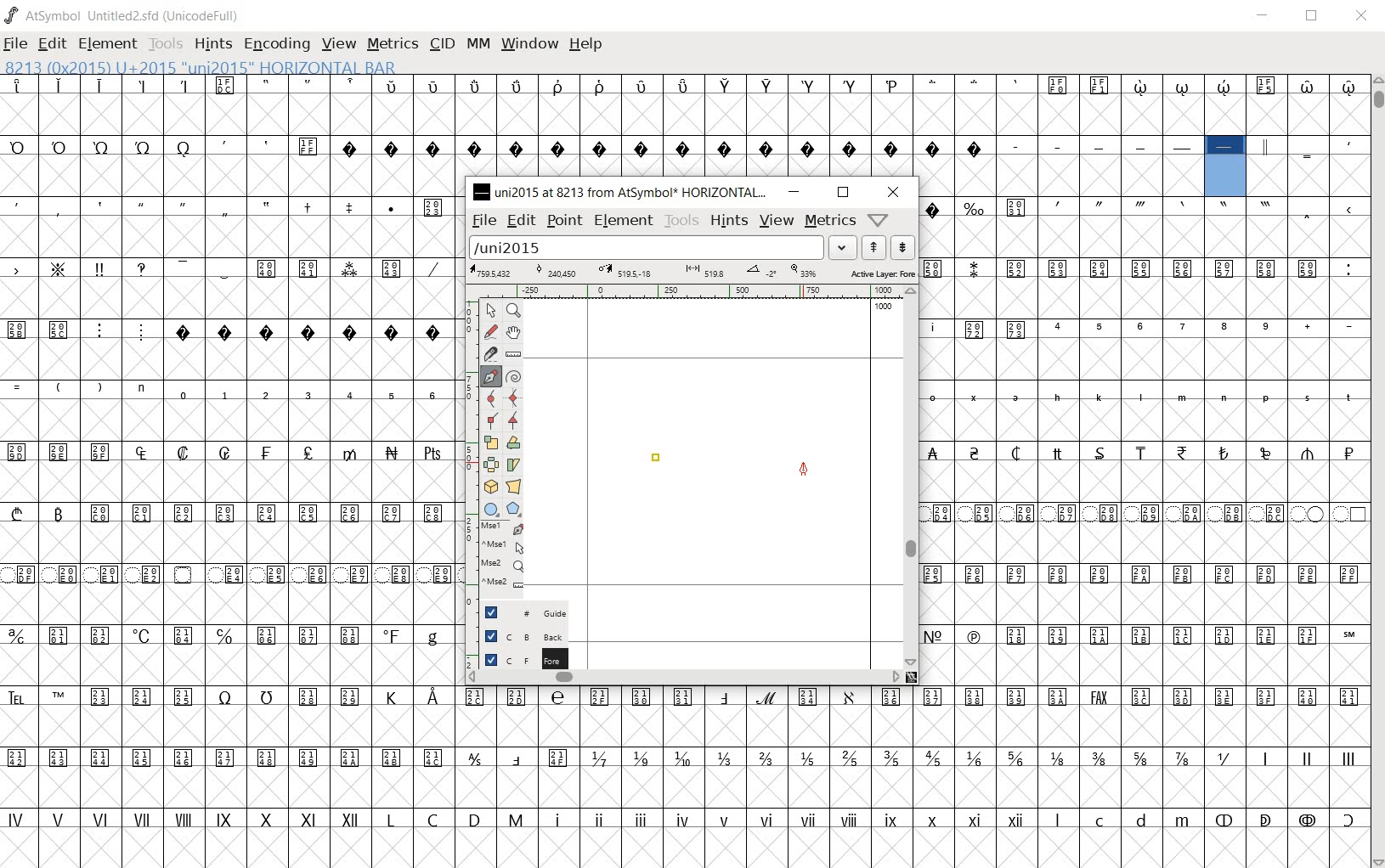 This screenshot has height=868, width=1385. I want to click on 8213 (0x2015) U+2015 "uni2015" HORIZONTAL BAR, so click(1225, 167).